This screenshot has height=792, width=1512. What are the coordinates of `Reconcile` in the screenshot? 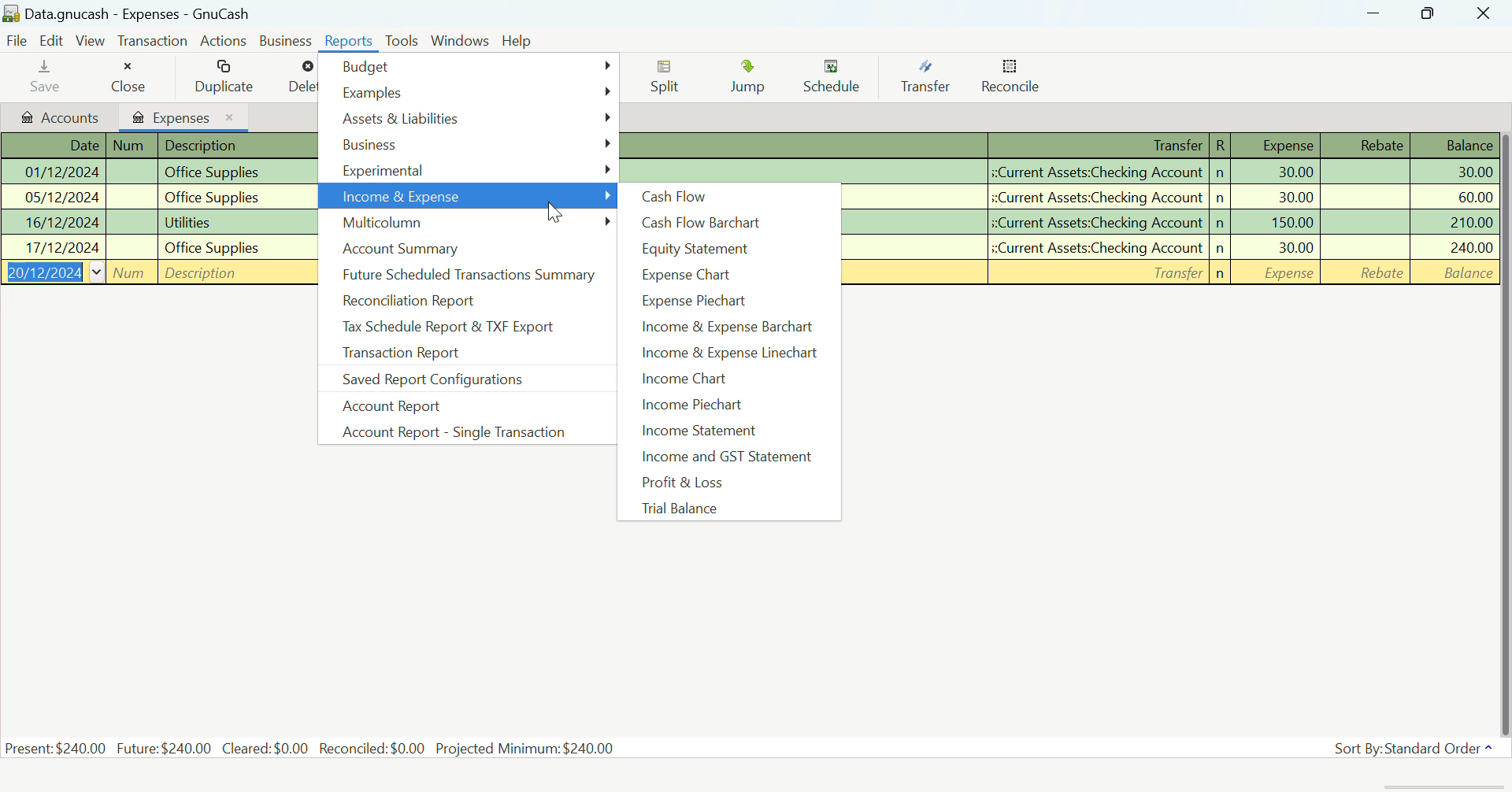 It's located at (1013, 80).